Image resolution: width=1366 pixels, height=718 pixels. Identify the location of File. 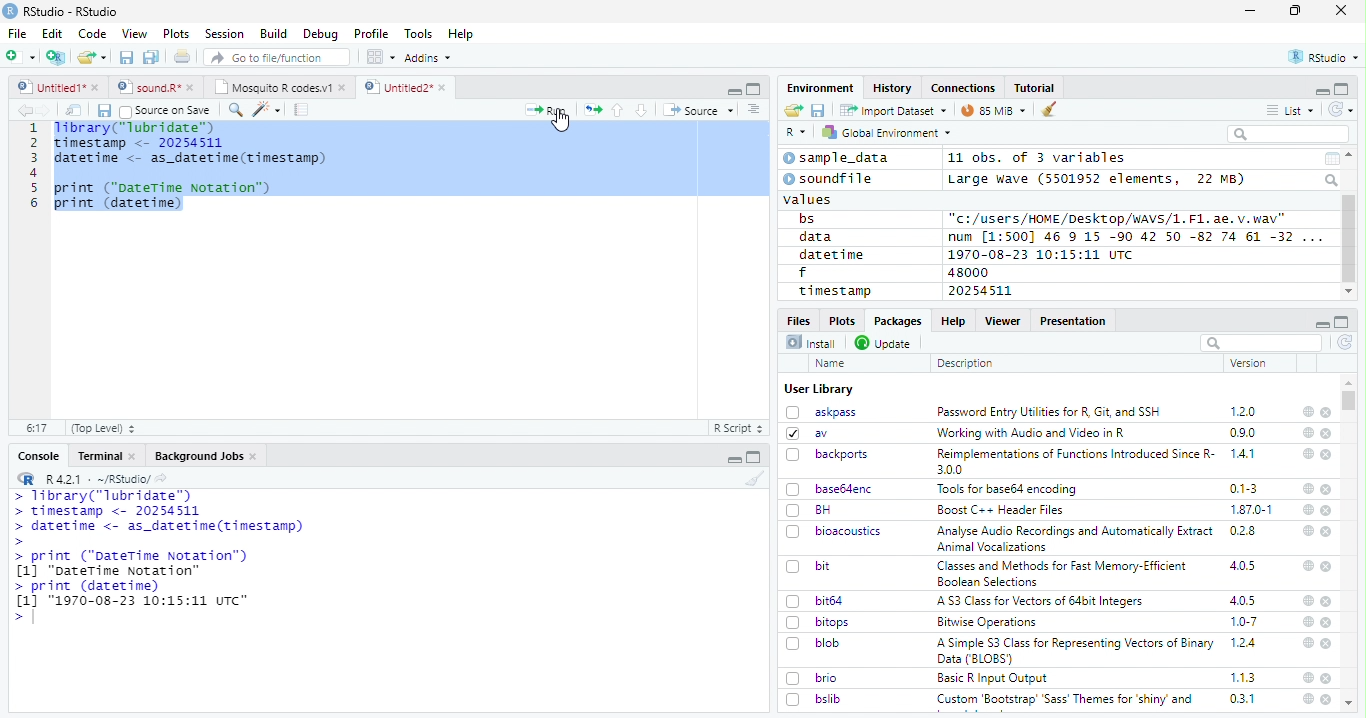
(16, 33).